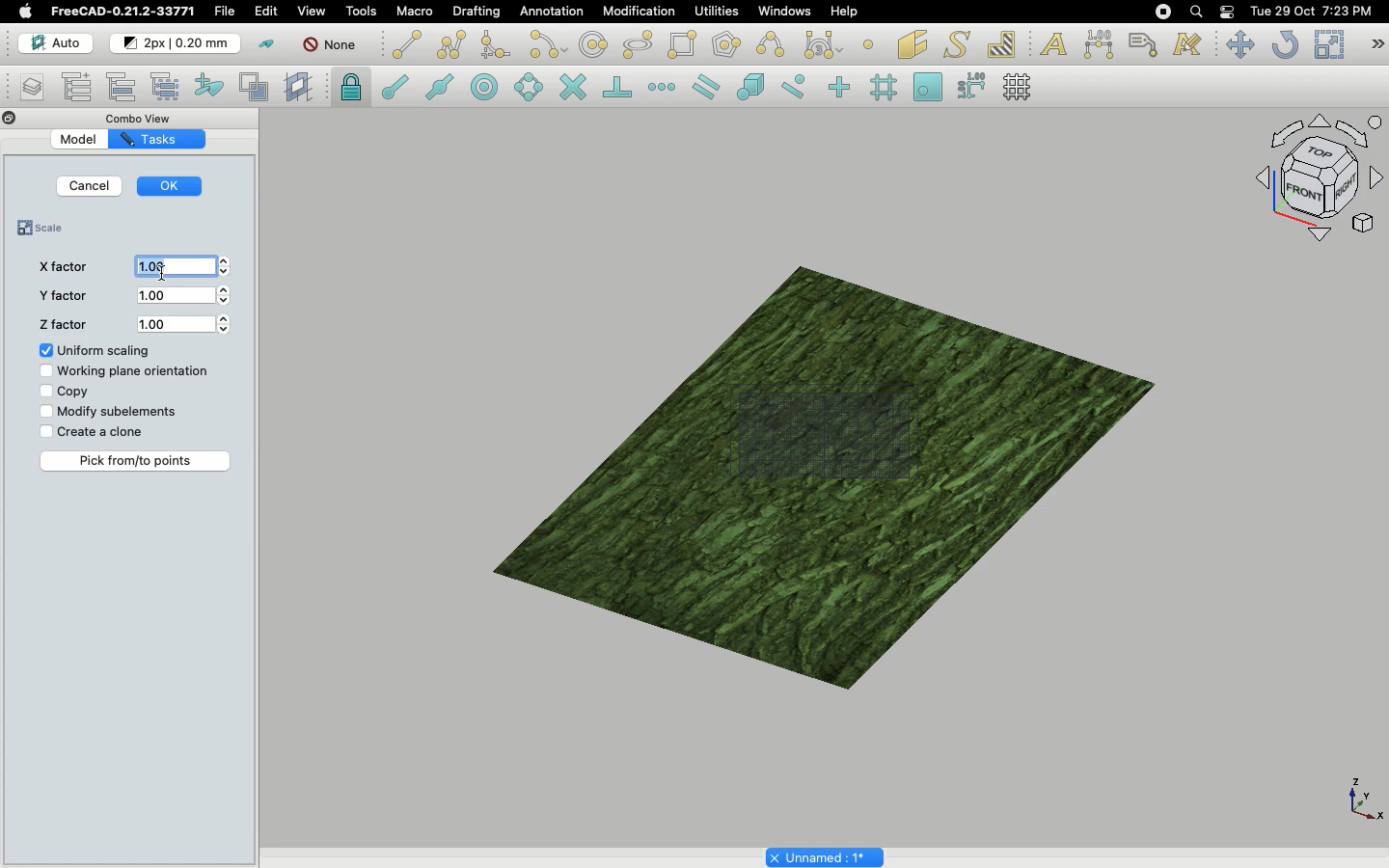 The width and height of the screenshot is (1389, 868). Describe the element at coordinates (392, 84) in the screenshot. I see `Snap endpoint` at that location.